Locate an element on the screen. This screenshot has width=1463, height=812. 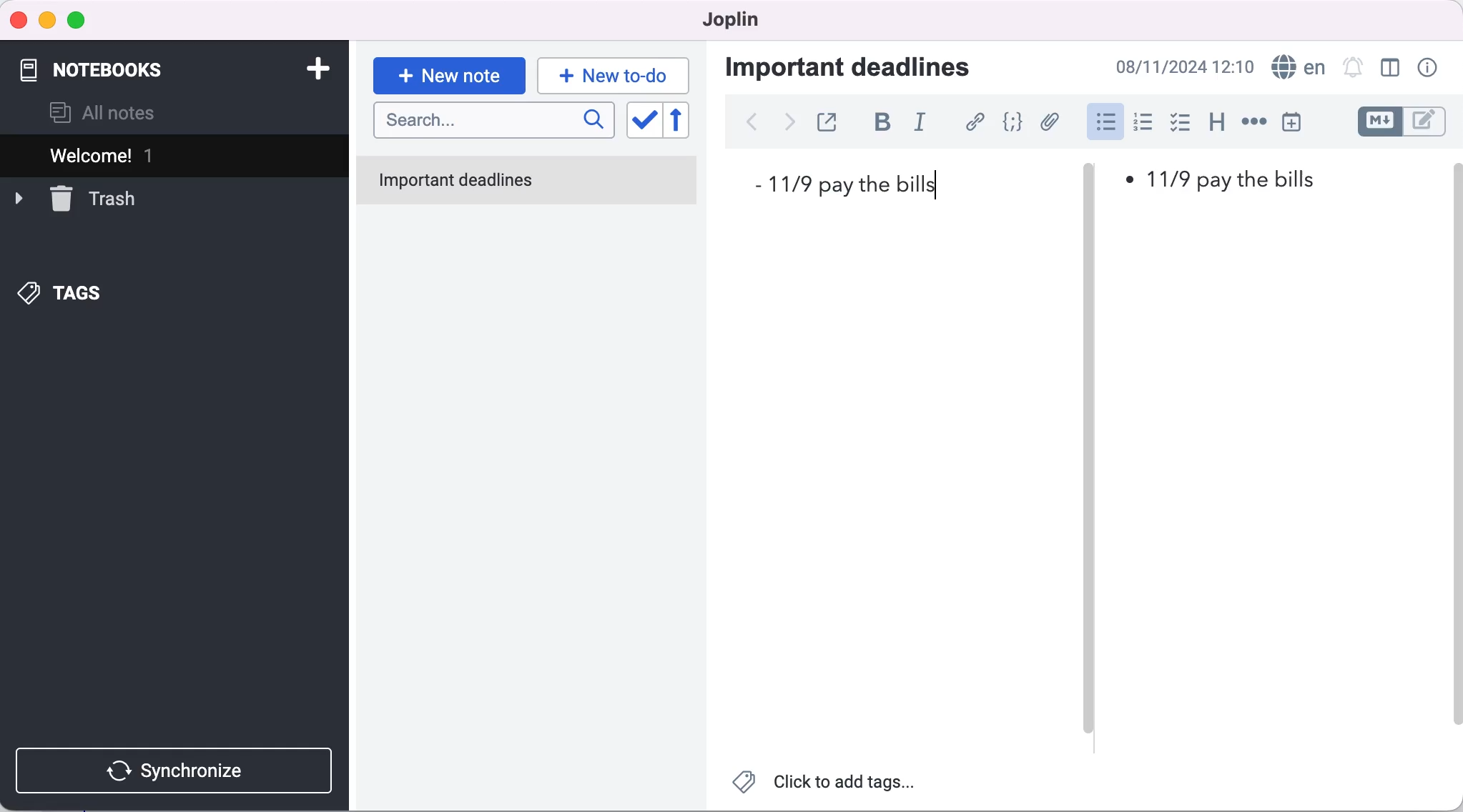
cursor is located at coordinates (1105, 123).